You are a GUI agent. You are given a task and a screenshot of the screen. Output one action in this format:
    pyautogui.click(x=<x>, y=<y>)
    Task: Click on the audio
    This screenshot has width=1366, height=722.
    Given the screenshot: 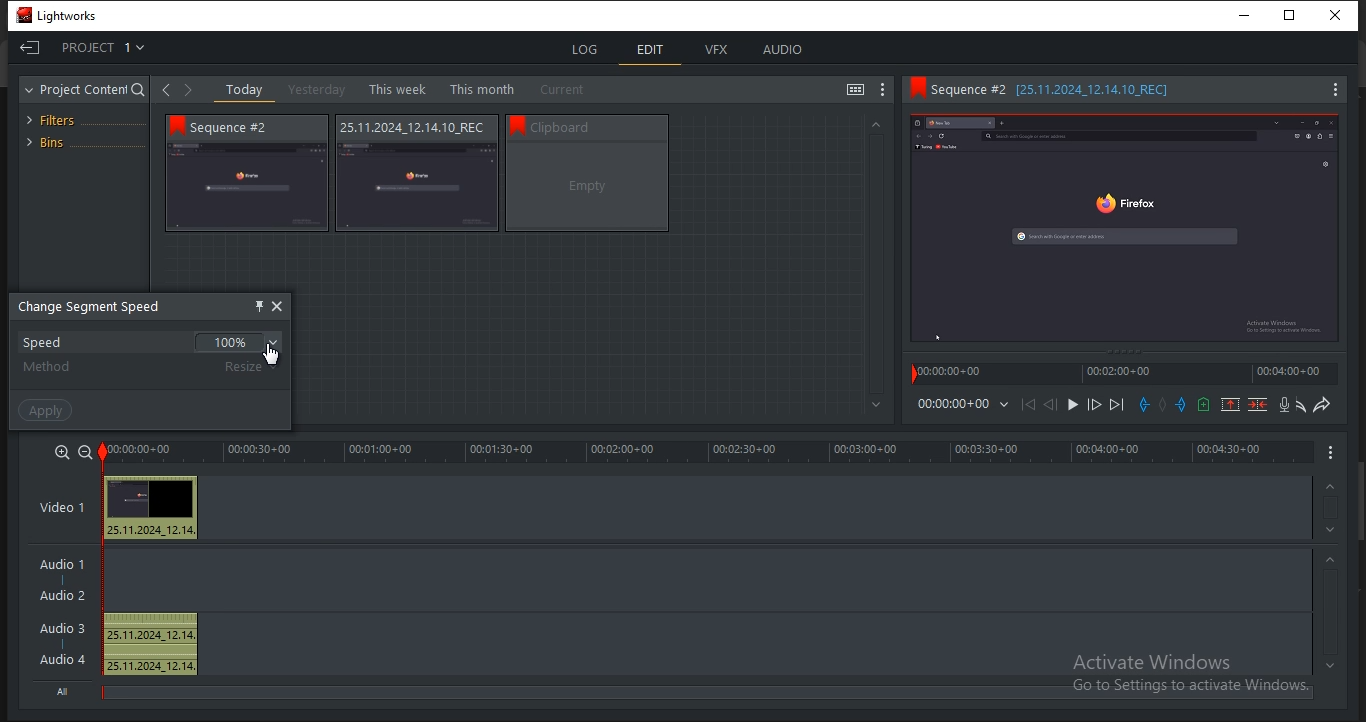 What is the action you would take?
    pyautogui.click(x=785, y=50)
    